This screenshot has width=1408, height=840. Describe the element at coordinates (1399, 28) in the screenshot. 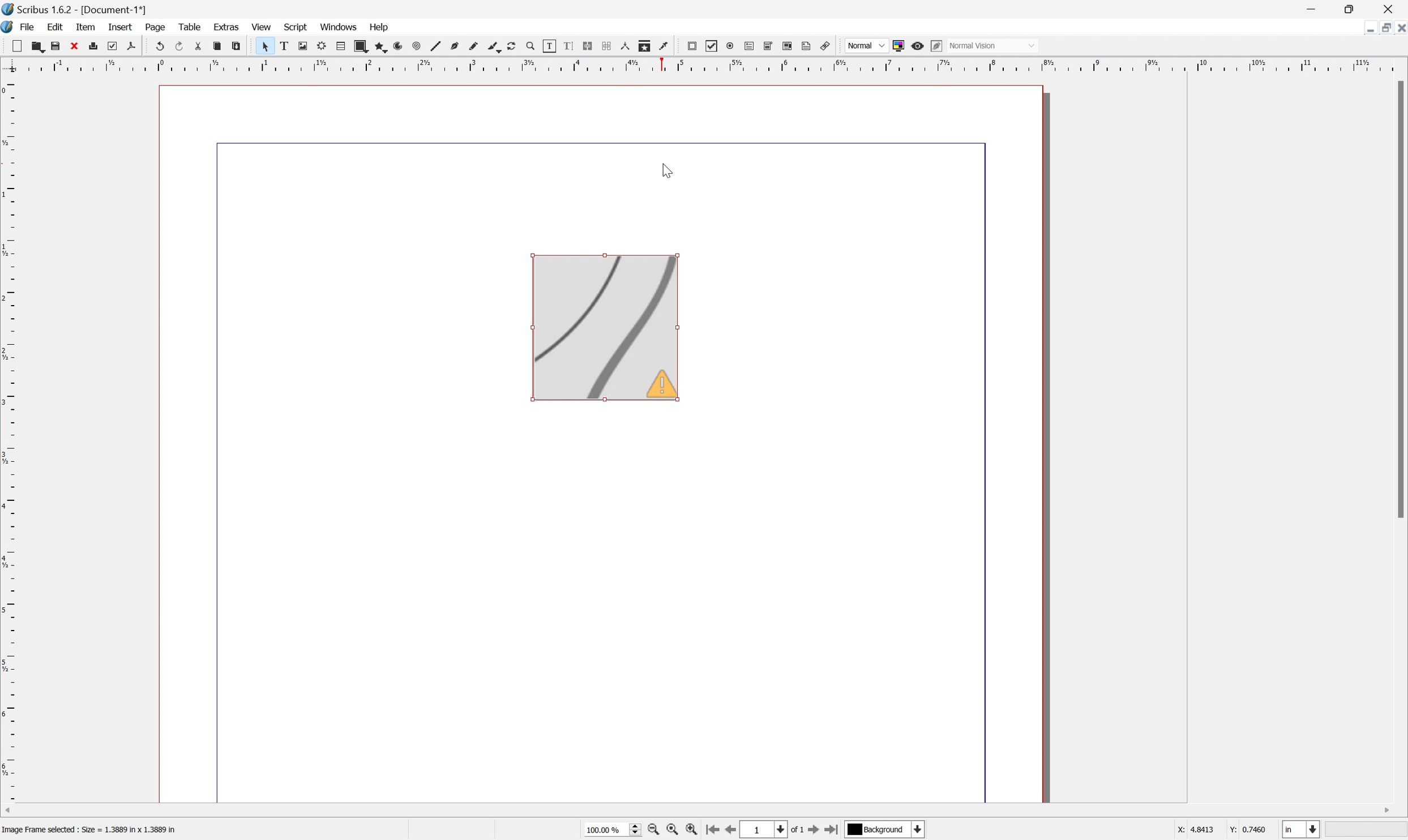

I see `Close` at that location.